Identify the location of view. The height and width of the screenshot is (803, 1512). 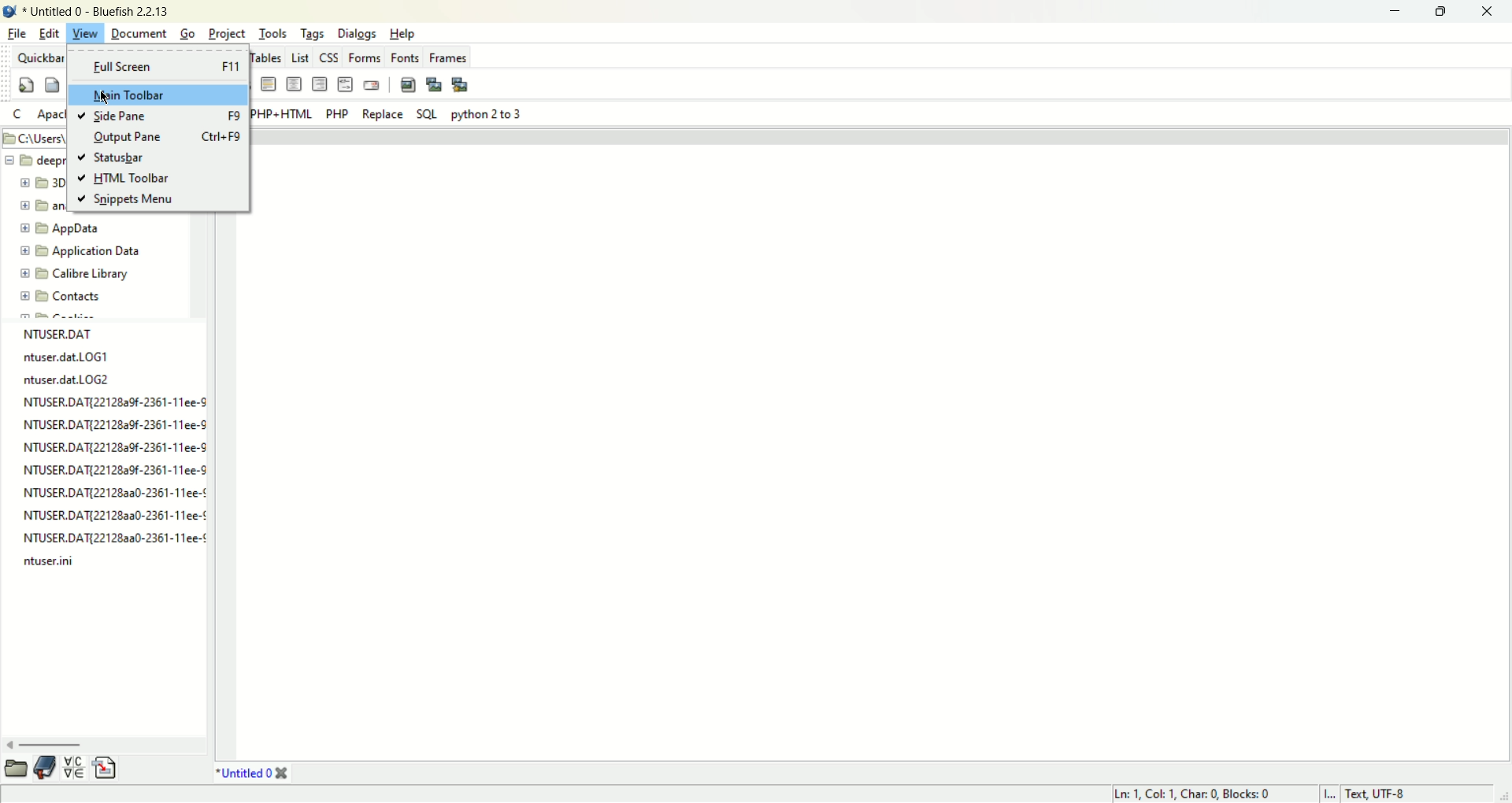
(86, 33).